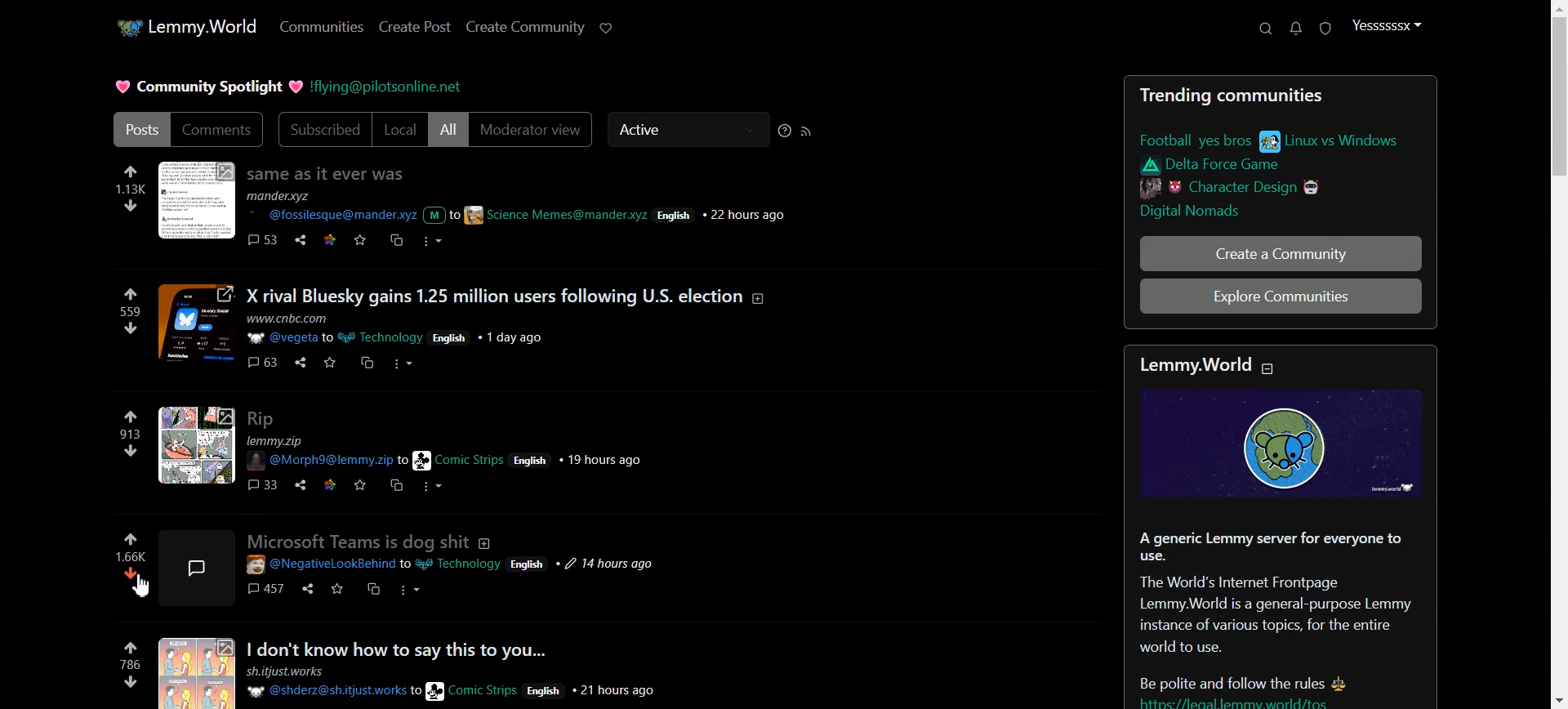  What do you see at coordinates (1232, 186) in the screenshot?
I see `link` at bounding box center [1232, 186].